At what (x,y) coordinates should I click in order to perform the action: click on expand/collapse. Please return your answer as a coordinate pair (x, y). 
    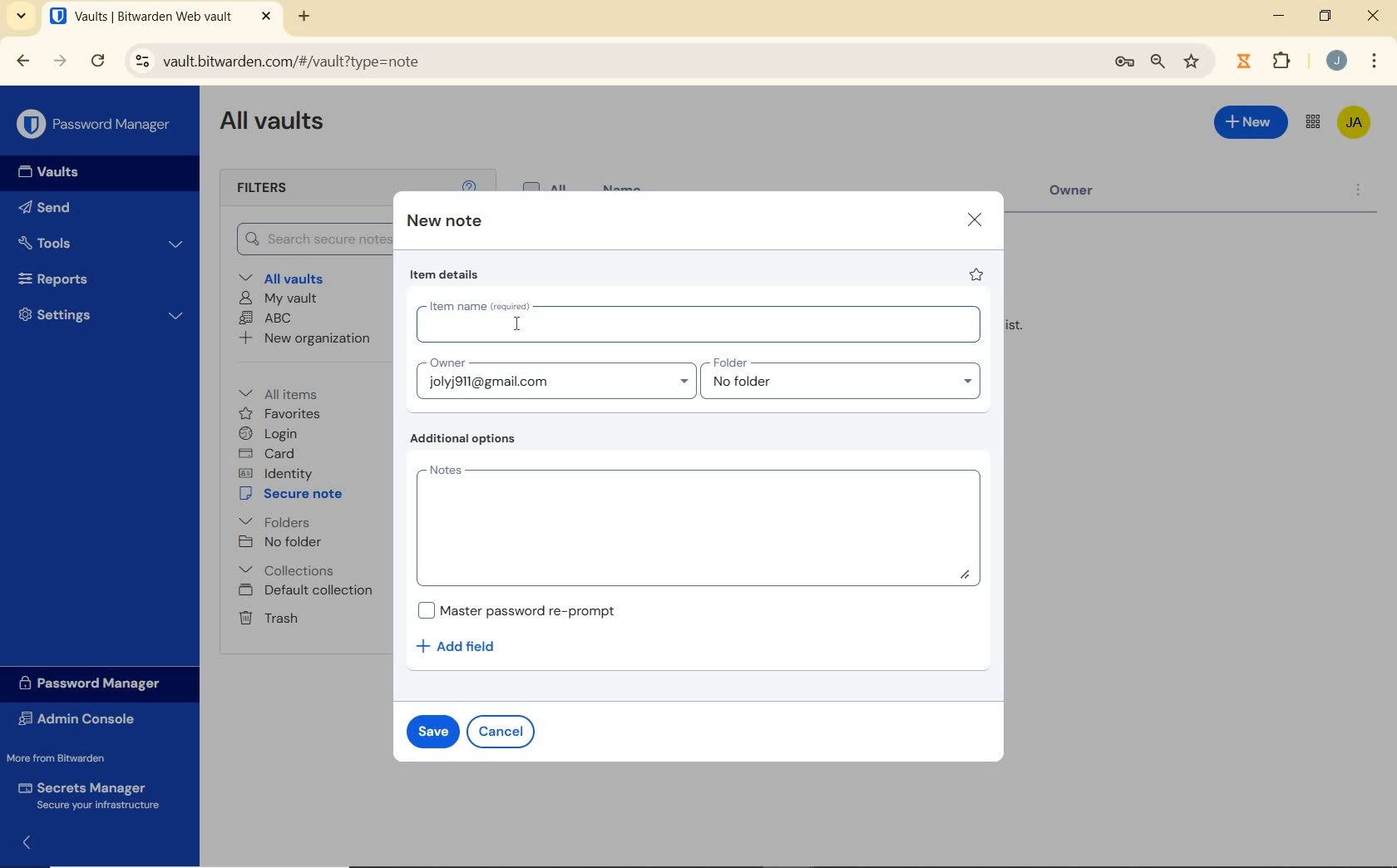
    Looking at the image, I should click on (22, 846).